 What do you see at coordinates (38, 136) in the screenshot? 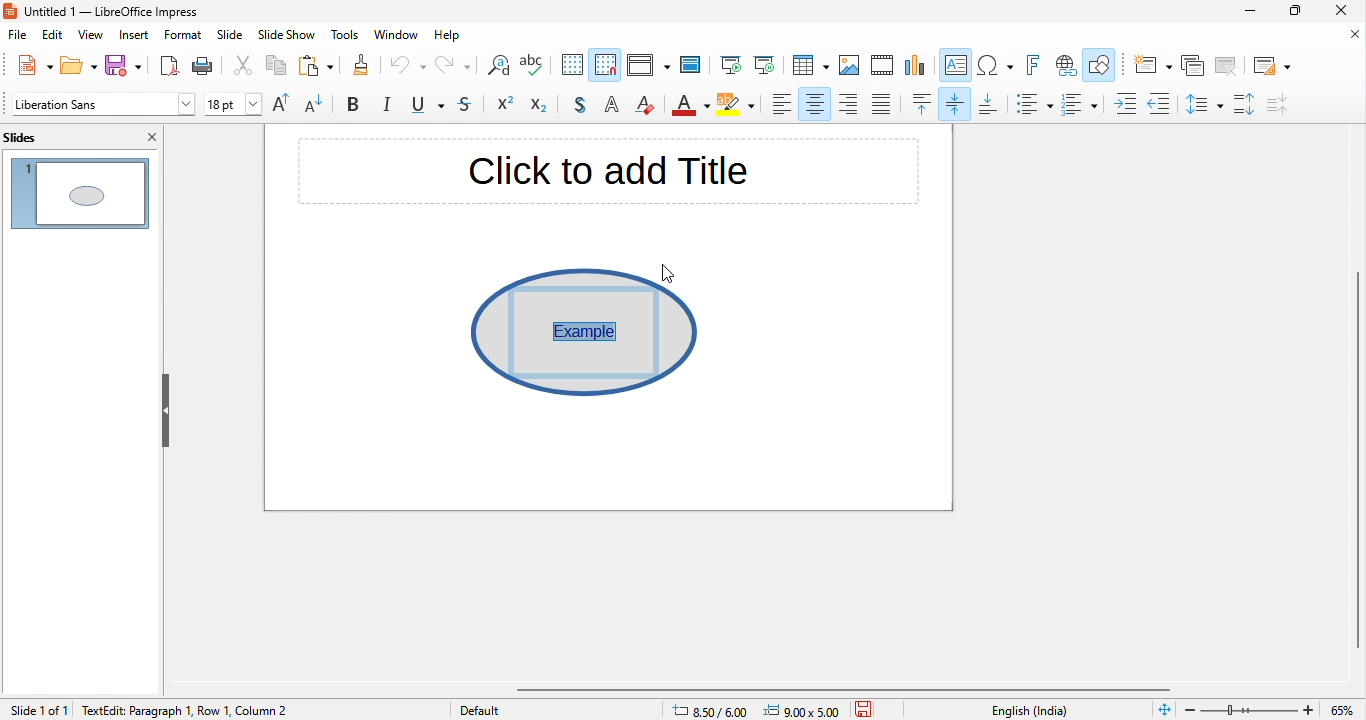
I see `slides` at bounding box center [38, 136].